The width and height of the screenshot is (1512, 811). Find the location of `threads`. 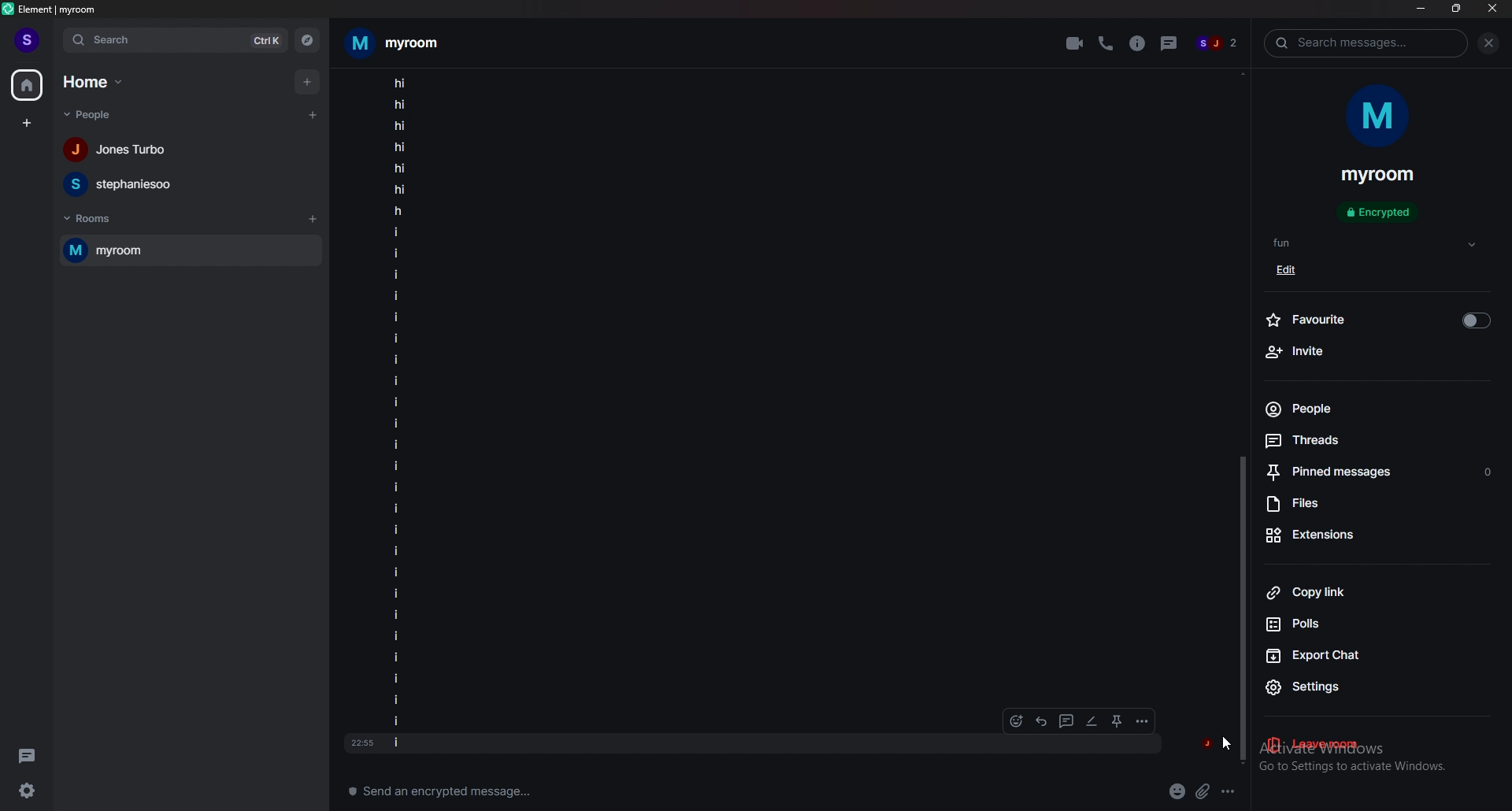

threads is located at coordinates (1171, 43).